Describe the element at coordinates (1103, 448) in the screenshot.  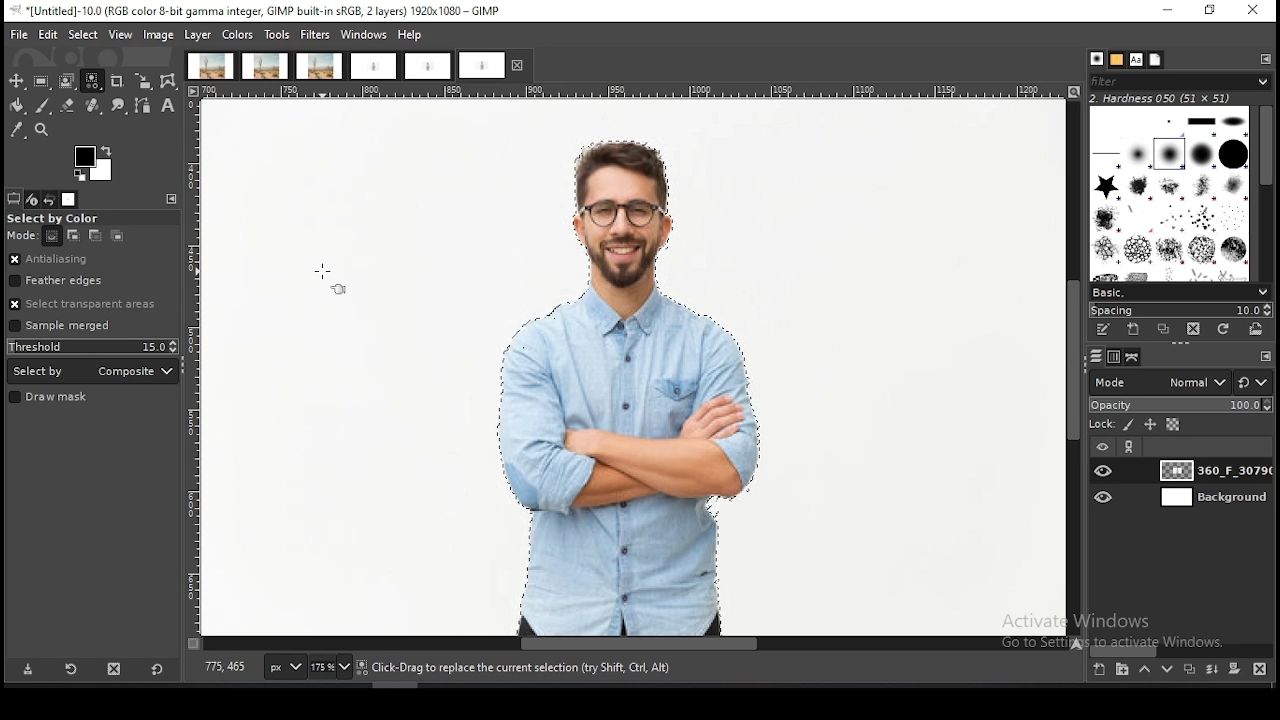
I see `layer visibility on/off` at that location.